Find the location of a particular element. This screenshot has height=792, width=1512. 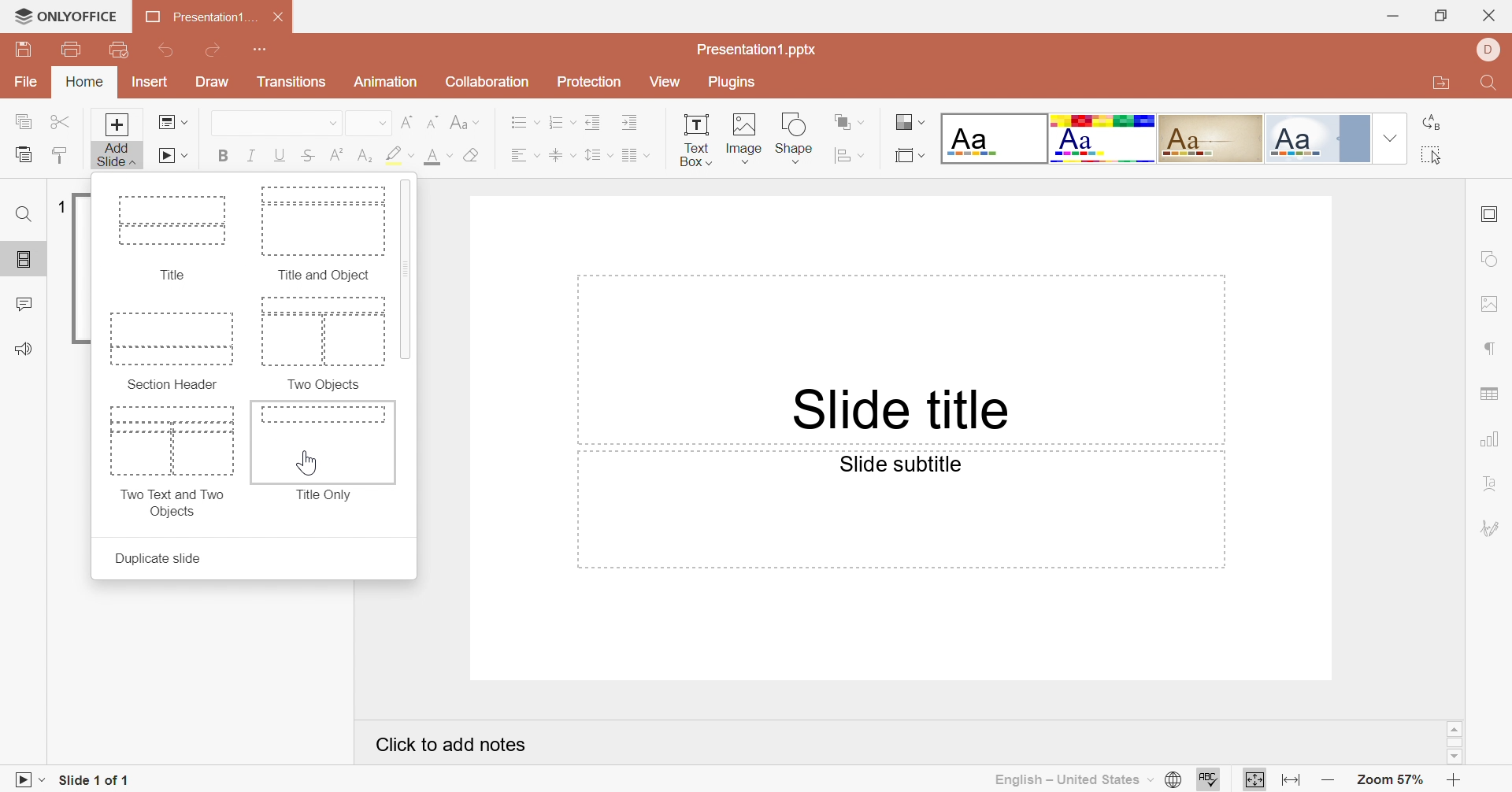

scroll bar is located at coordinates (1452, 743).